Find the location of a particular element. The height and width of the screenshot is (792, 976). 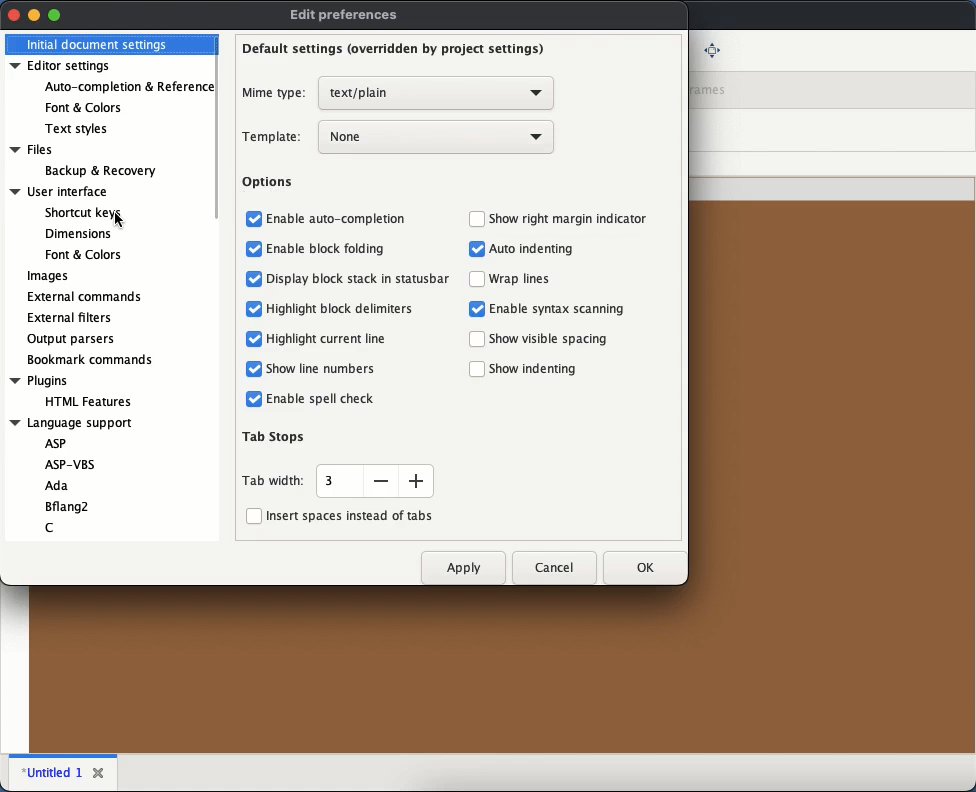

edit preferences  is located at coordinates (346, 15).